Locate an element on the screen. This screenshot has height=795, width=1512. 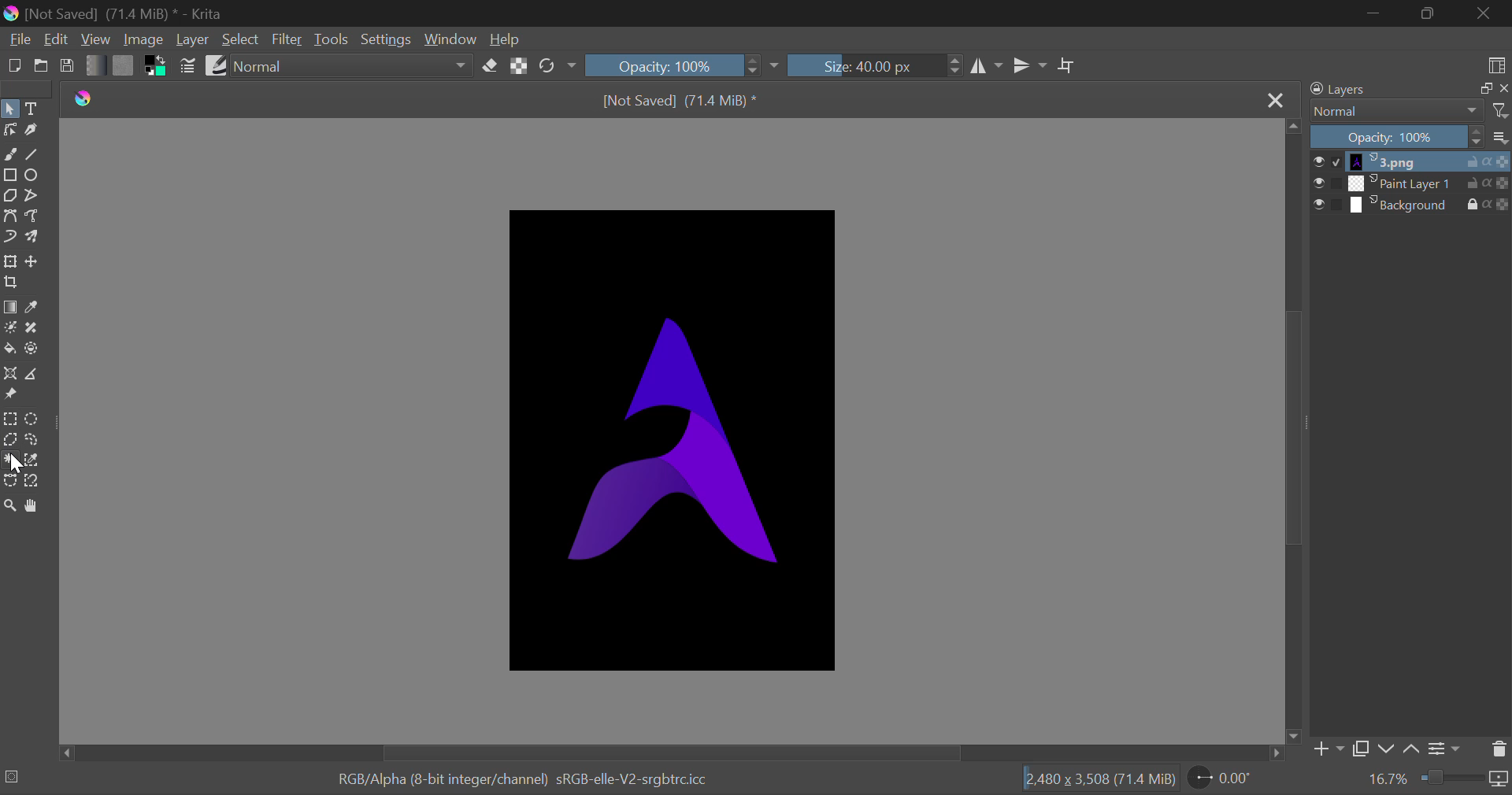
Settings is located at coordinates (384, 39).